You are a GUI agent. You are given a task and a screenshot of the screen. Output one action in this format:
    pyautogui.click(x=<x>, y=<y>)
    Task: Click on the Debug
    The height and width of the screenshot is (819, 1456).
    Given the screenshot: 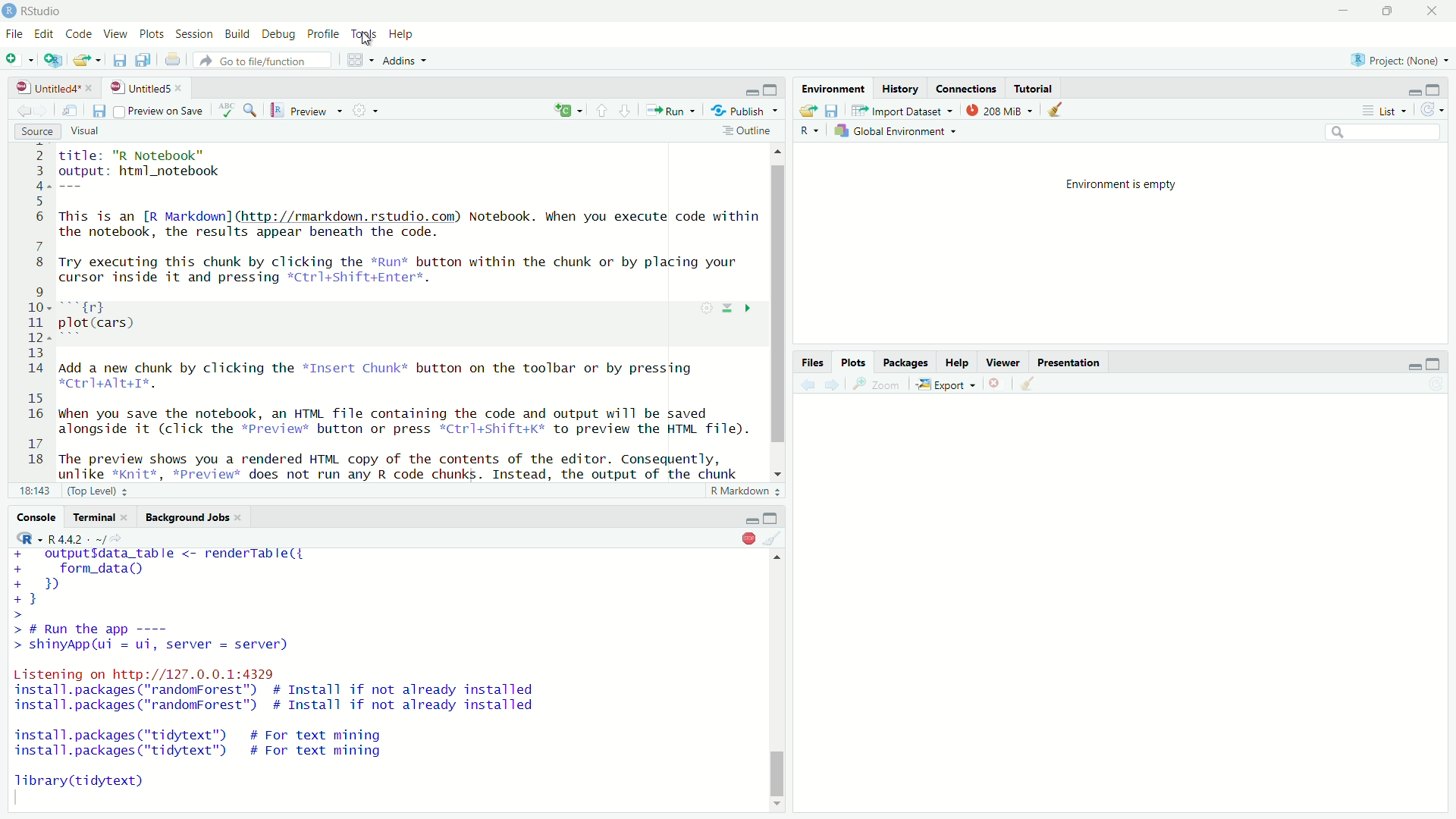 What is the action you would take?
    pyautogui.click(x=280, y=36)
    